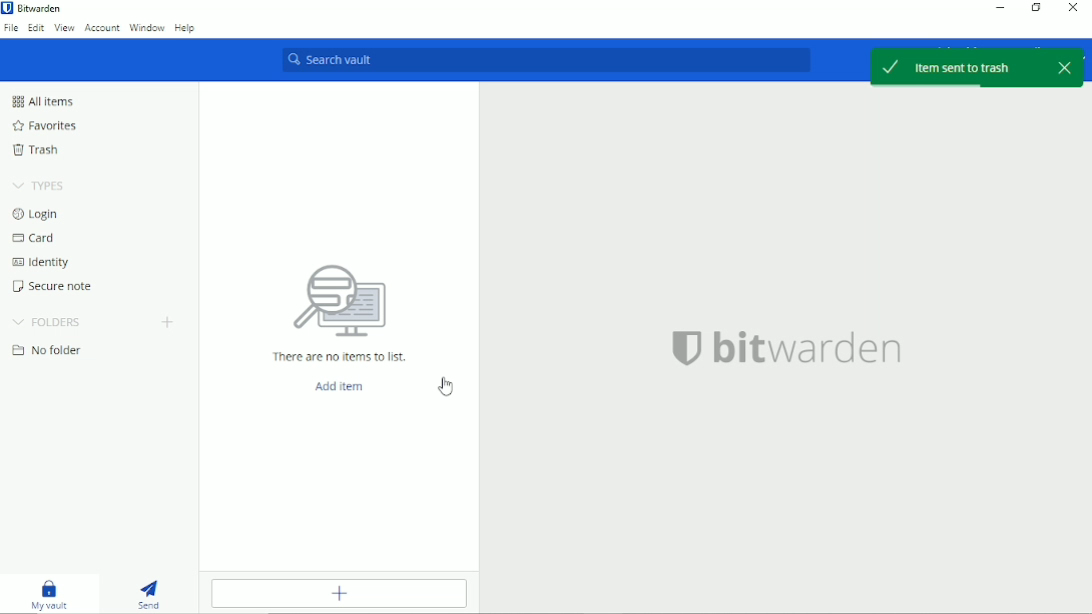  I want to click on Close notification, so click(1063, 67).